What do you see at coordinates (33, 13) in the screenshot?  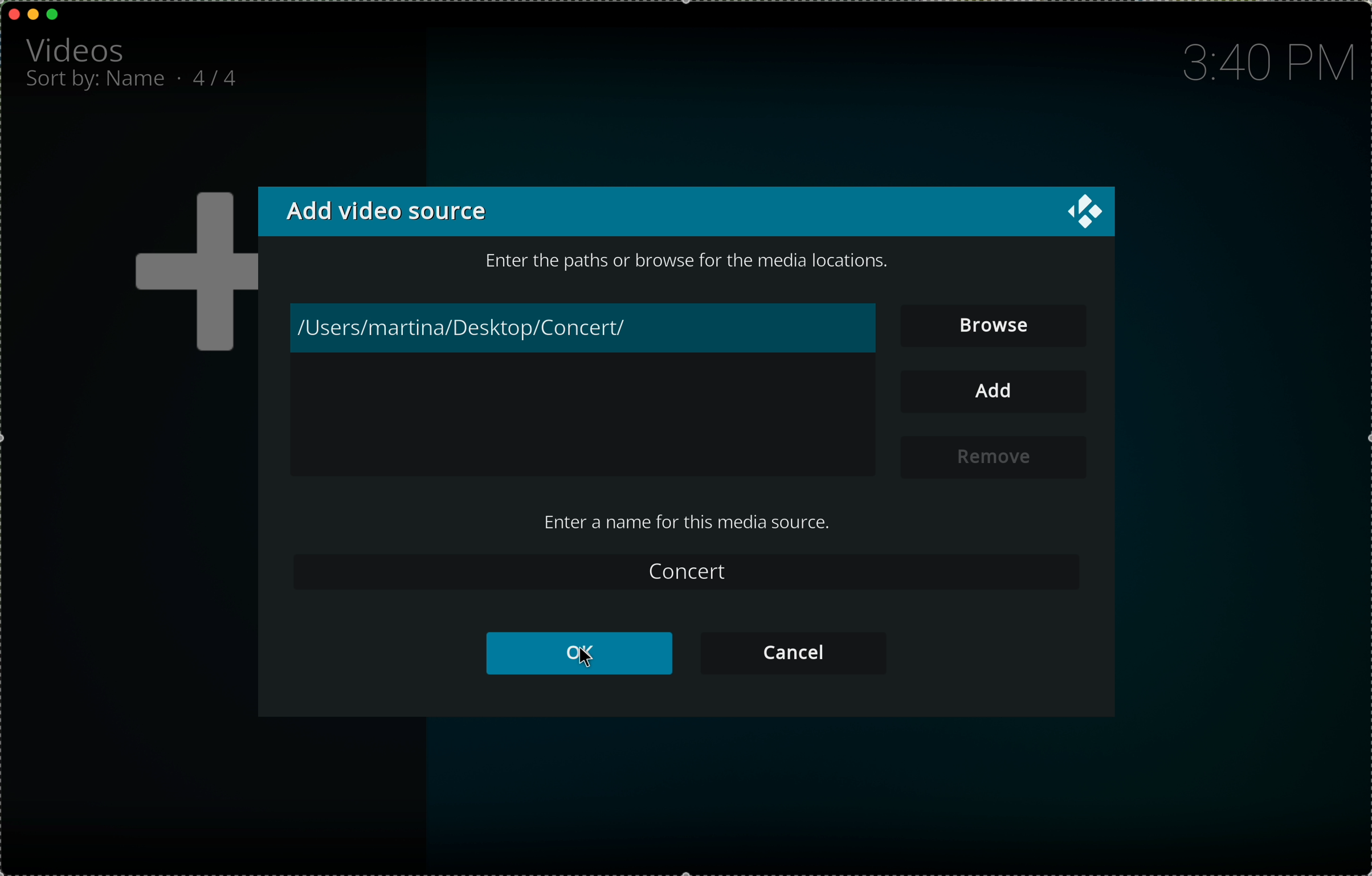 I see `minimise` at bounding box center [33, 13].